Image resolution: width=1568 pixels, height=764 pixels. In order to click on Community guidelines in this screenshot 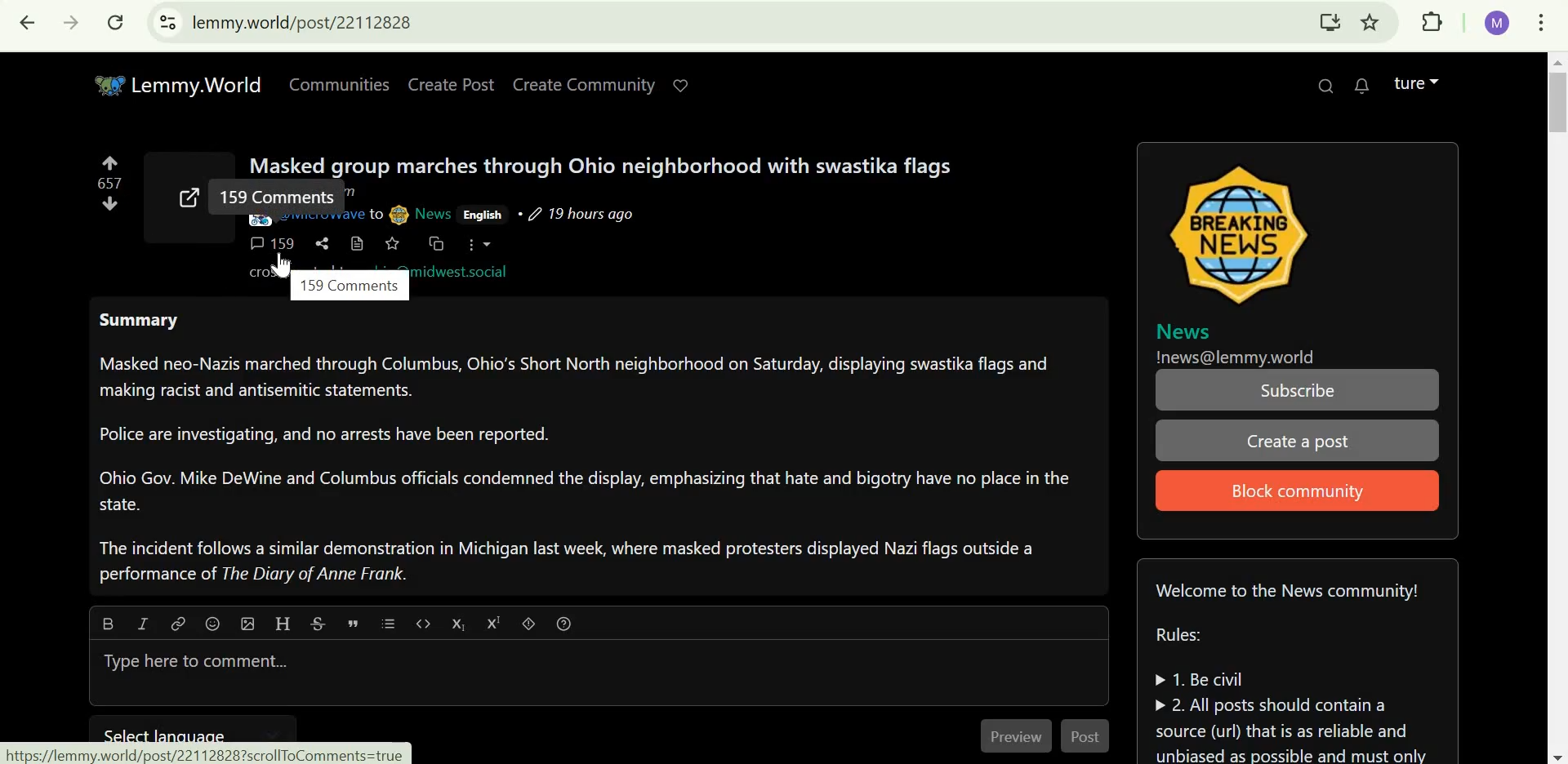, I will do `click(1296, 668)`.